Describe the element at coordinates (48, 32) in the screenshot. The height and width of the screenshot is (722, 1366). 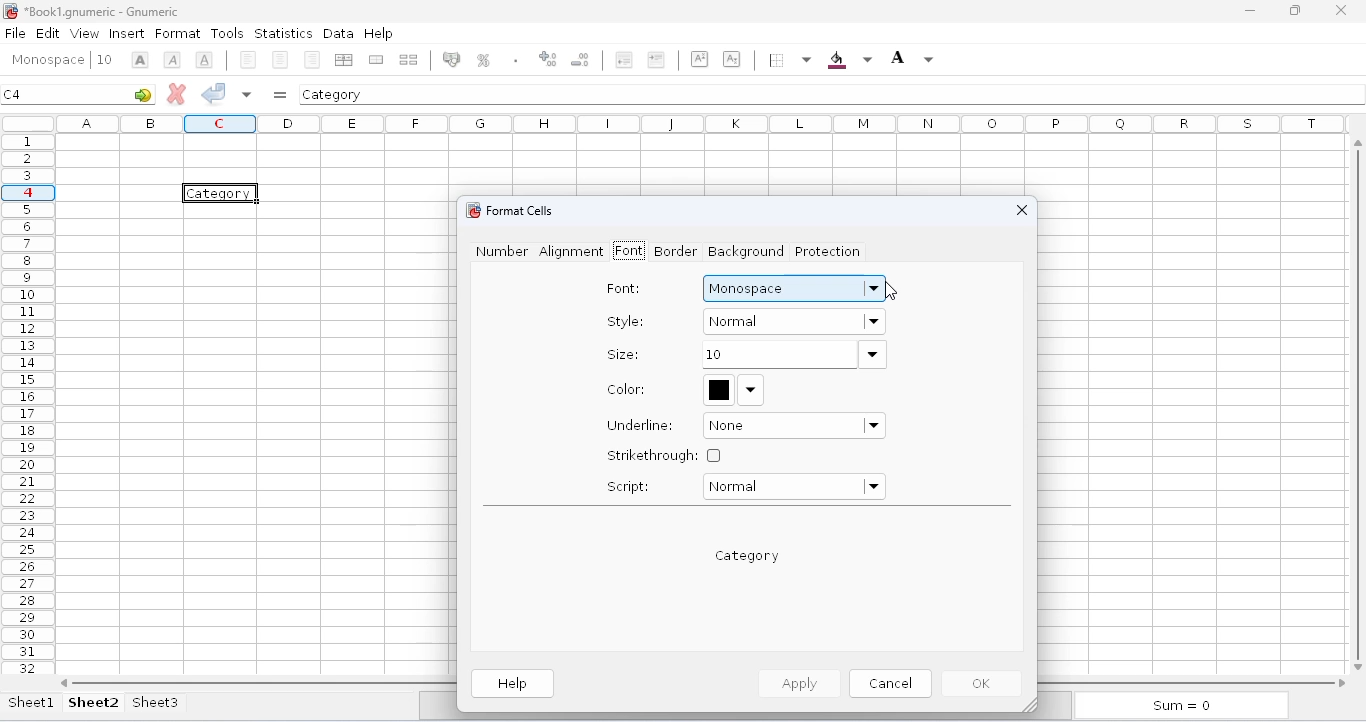
I see `edit` at that location.